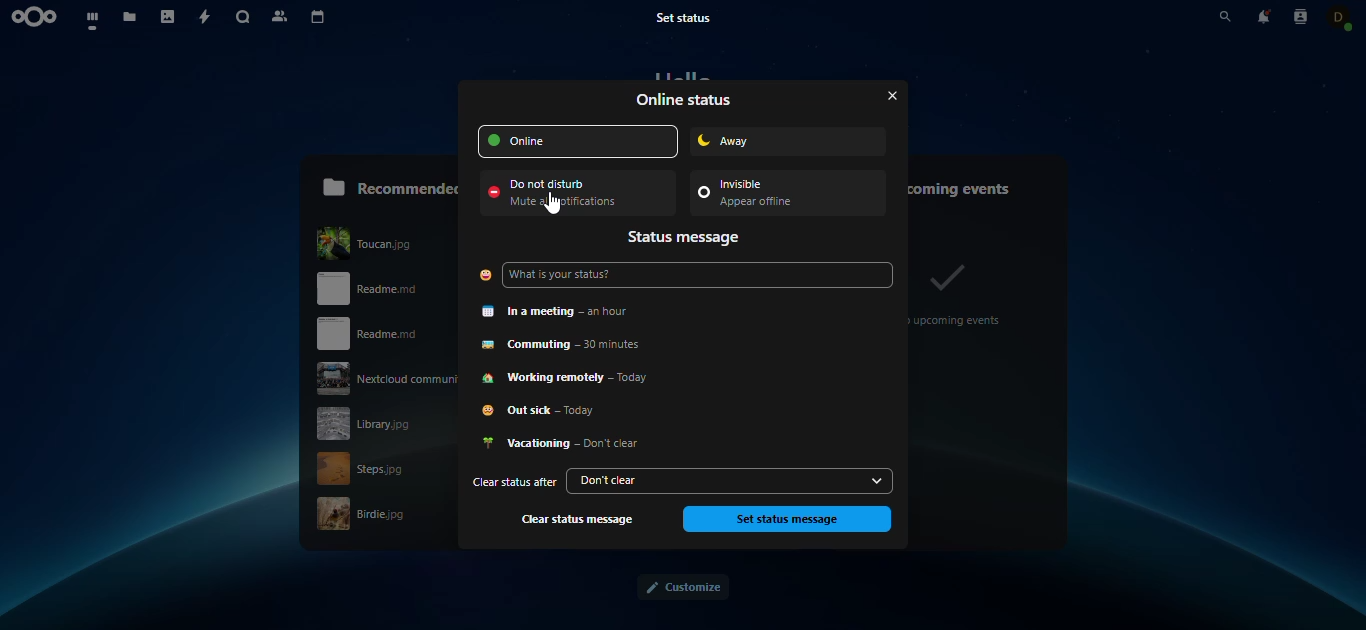 This screenshot has height=630, width=1366. I want to click on online, so click(579, 141).